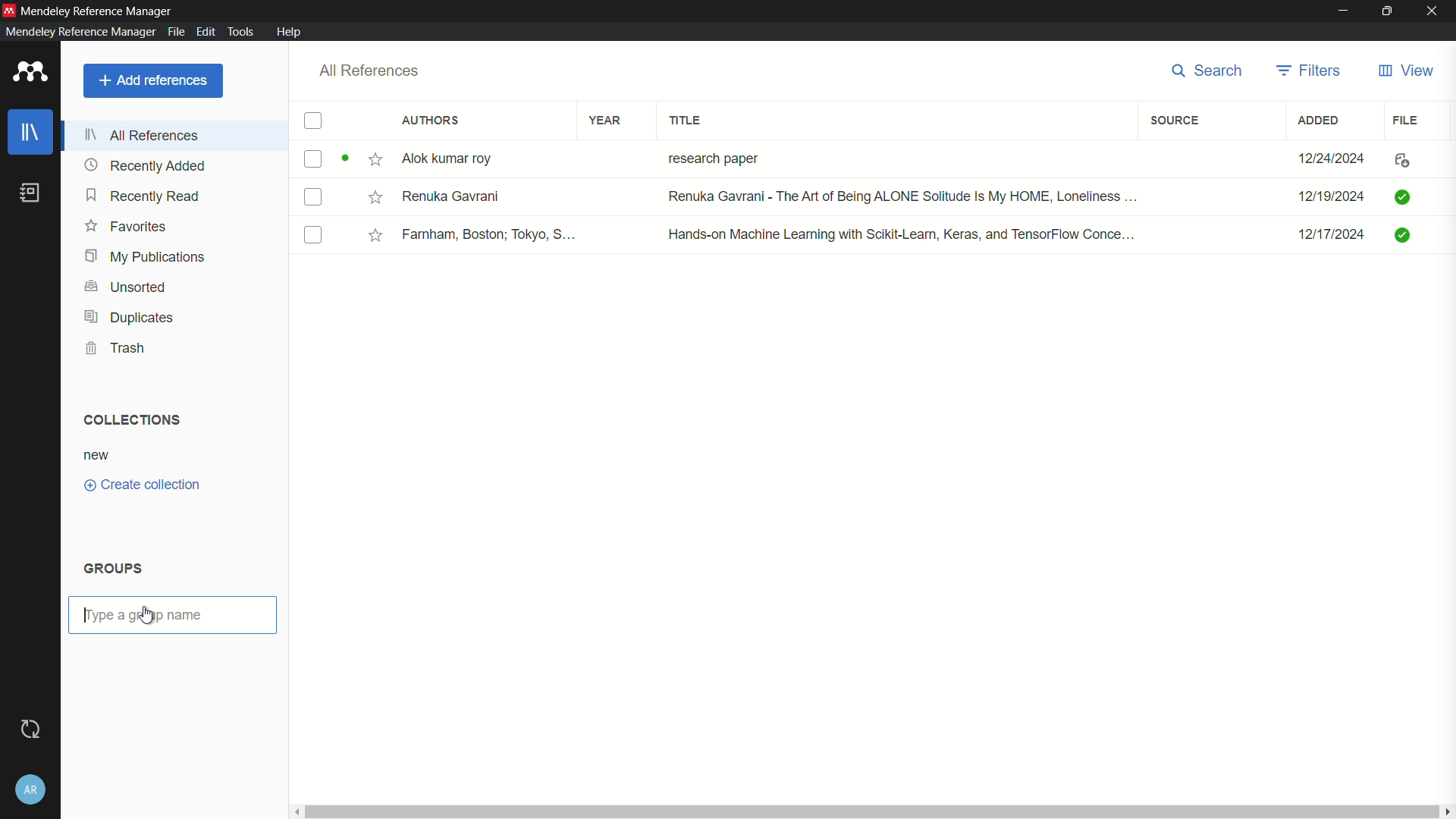 The image size is (1456, 819). I want to click on close app, so click(1434, 11).